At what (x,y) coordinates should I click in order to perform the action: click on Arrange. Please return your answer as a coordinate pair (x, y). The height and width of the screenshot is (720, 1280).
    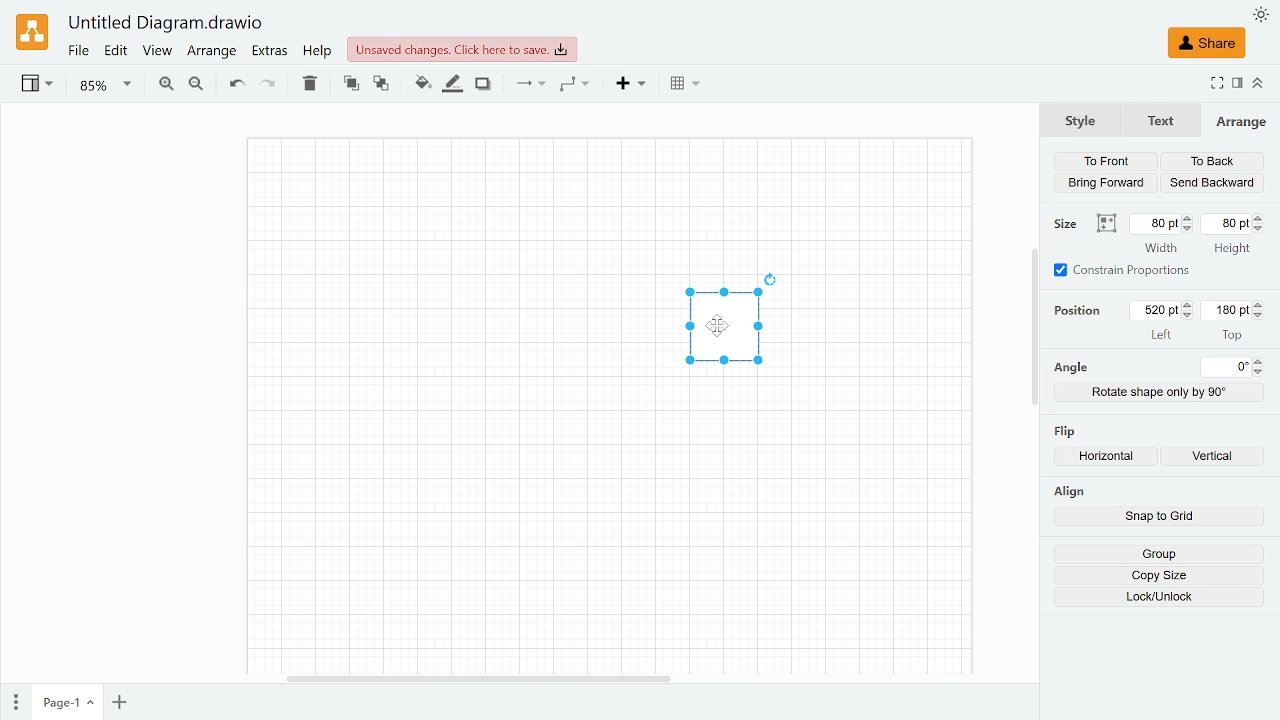
    Looking at the image, I should click on (1241, 121).